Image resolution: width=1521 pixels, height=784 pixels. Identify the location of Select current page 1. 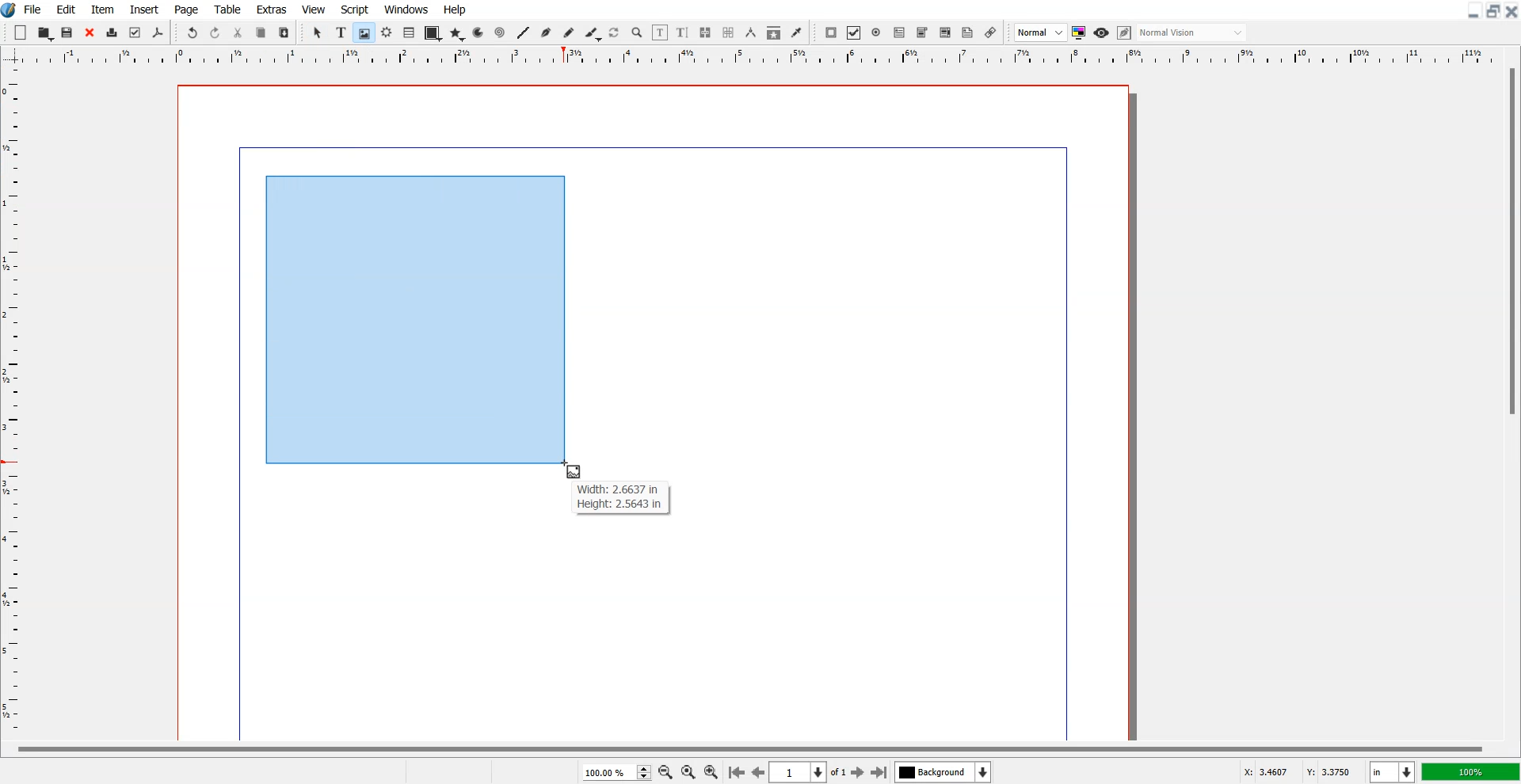
(810, 772).